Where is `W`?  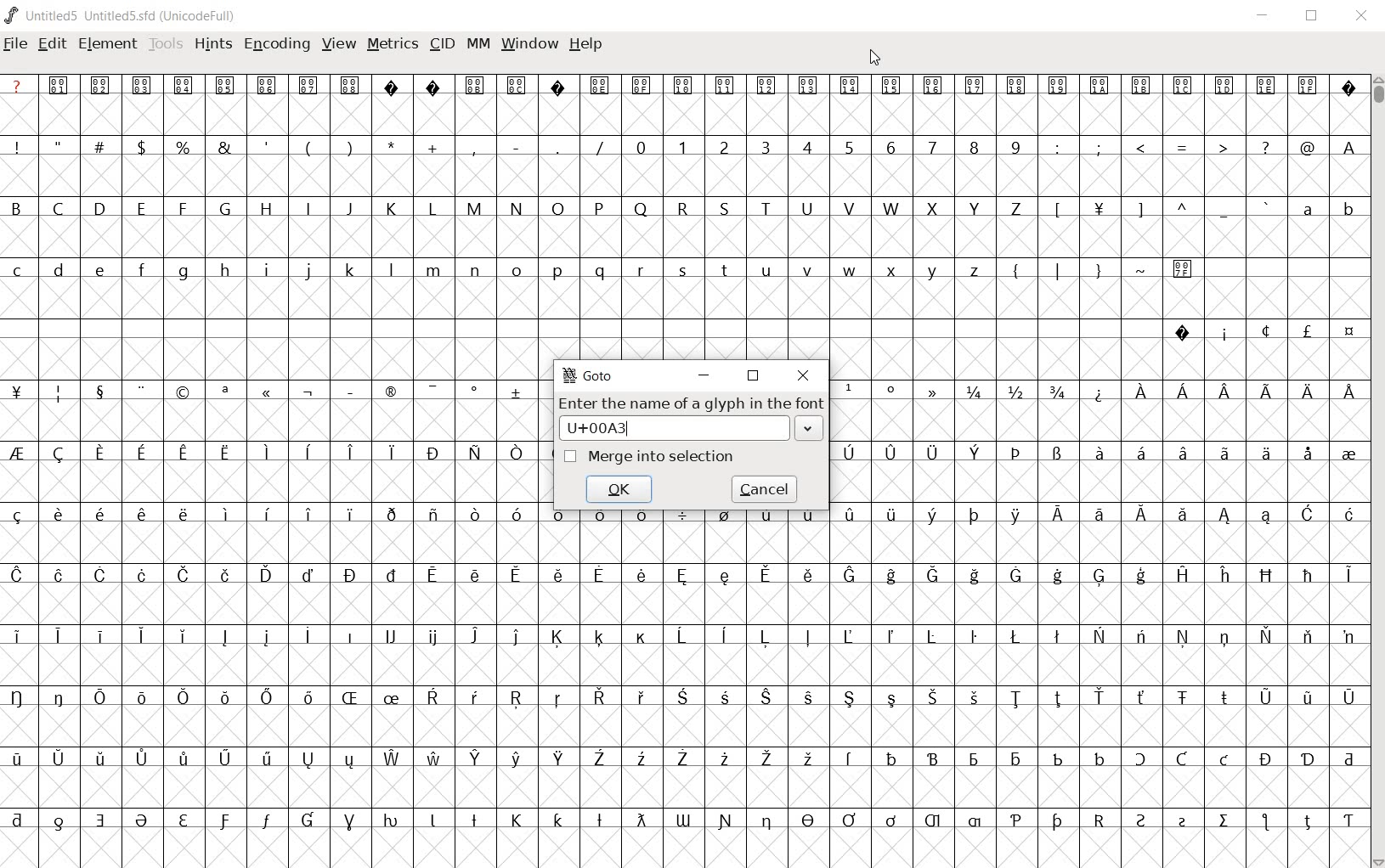 W is located at coordinates (891, 206).